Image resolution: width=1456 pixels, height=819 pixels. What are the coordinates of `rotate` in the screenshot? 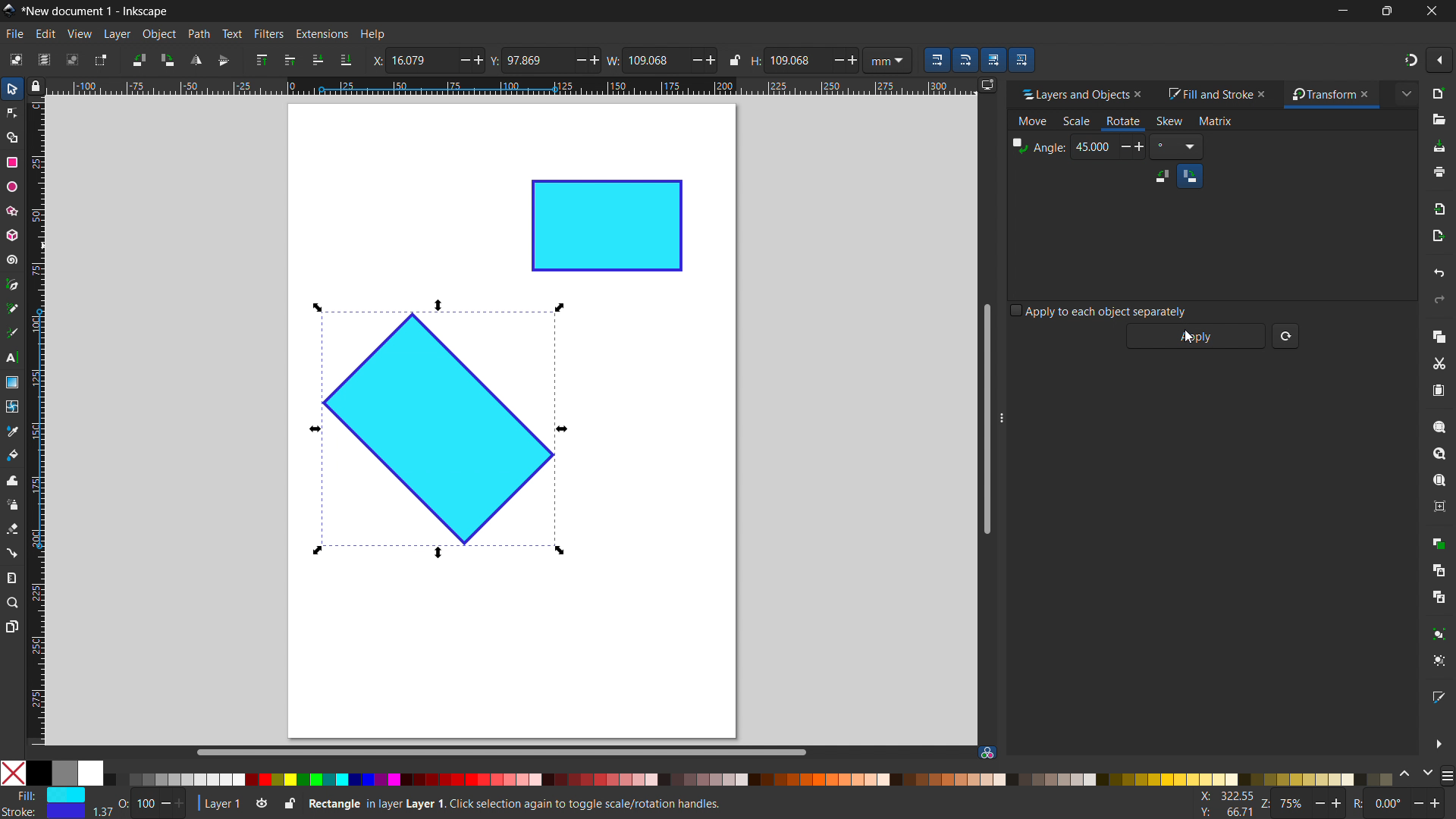 It's located at (1122, 121).